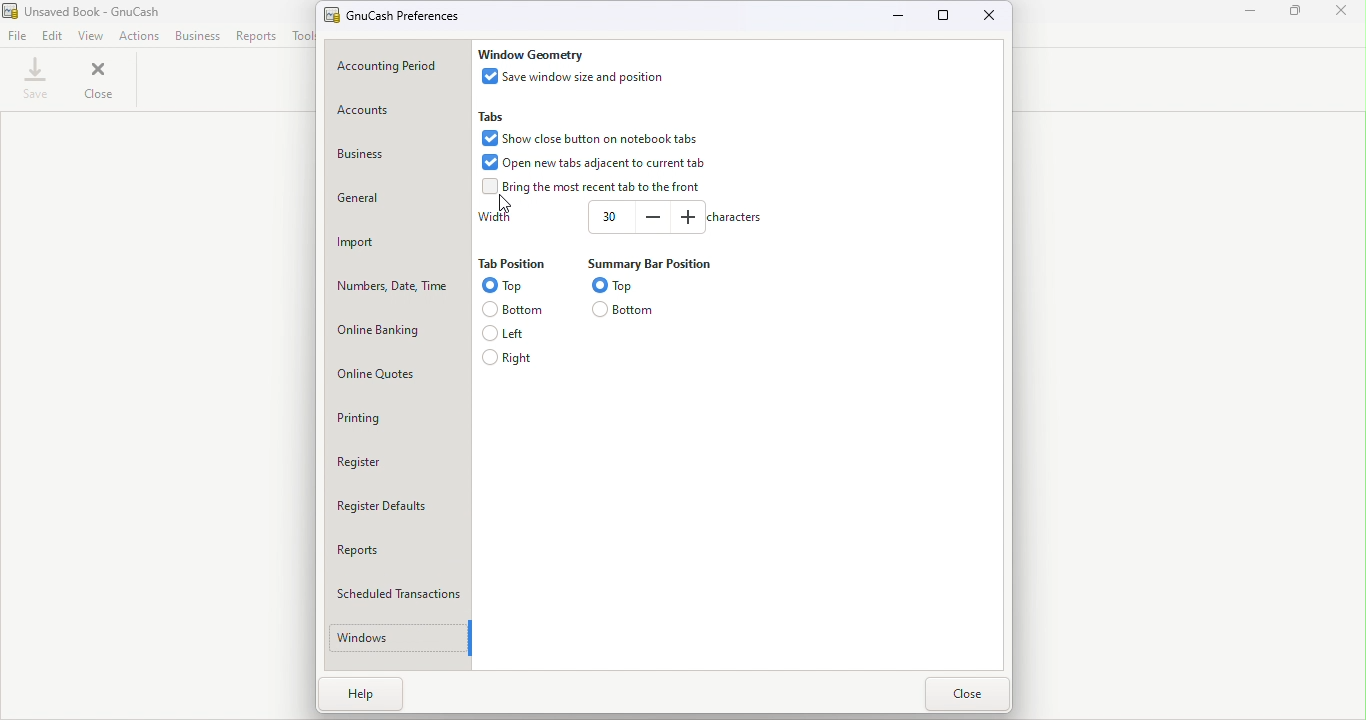 The image size is (1366, 720). What do you see at coordinates (617, 284) in the screenshot?
I see `Top` at bounding box center [617, 284].